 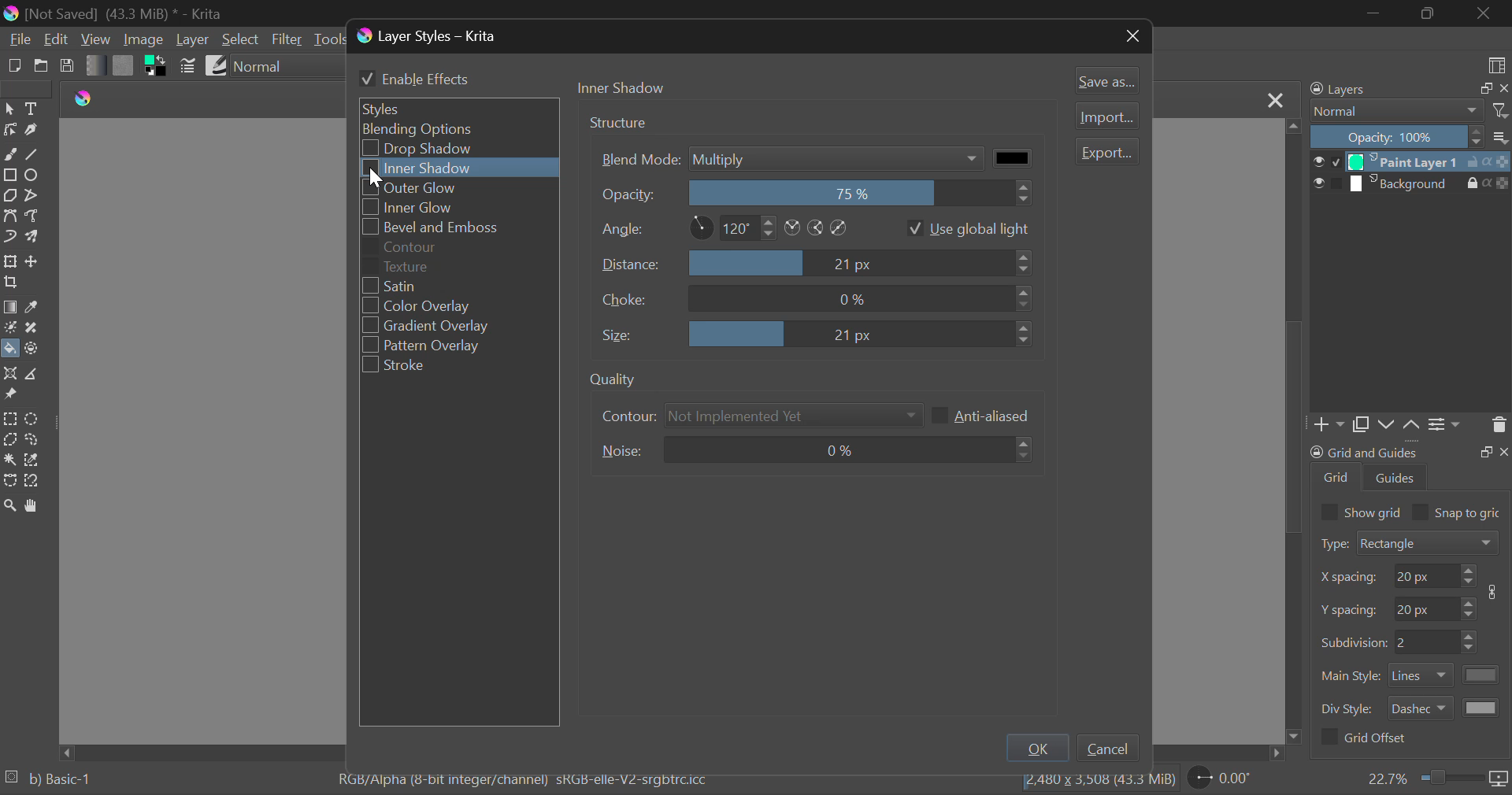 I want to click on b) Basic-1, so click(x=66, y=780).